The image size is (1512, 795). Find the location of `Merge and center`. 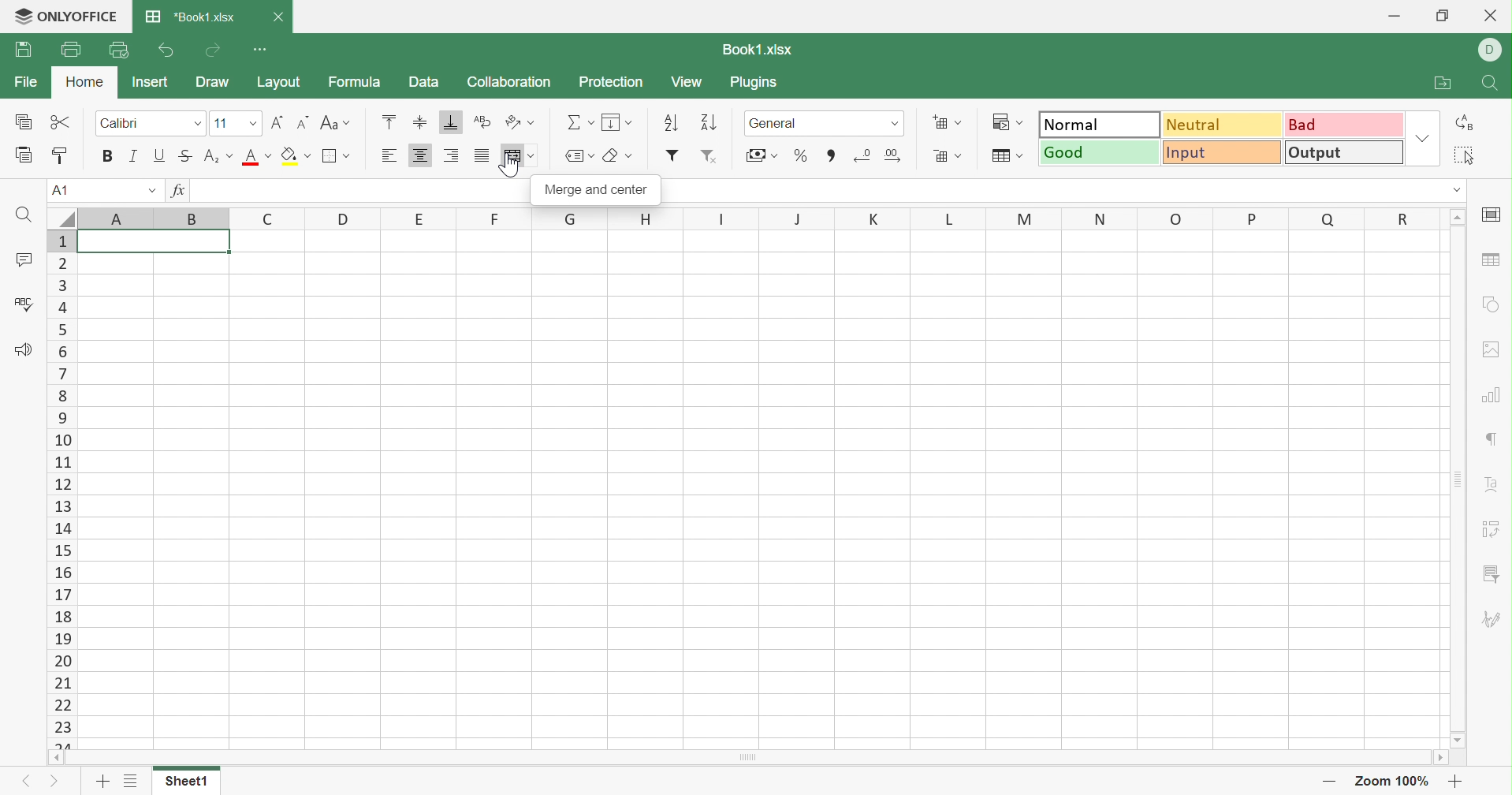

Merge and center is located at coordinates (523, 155).